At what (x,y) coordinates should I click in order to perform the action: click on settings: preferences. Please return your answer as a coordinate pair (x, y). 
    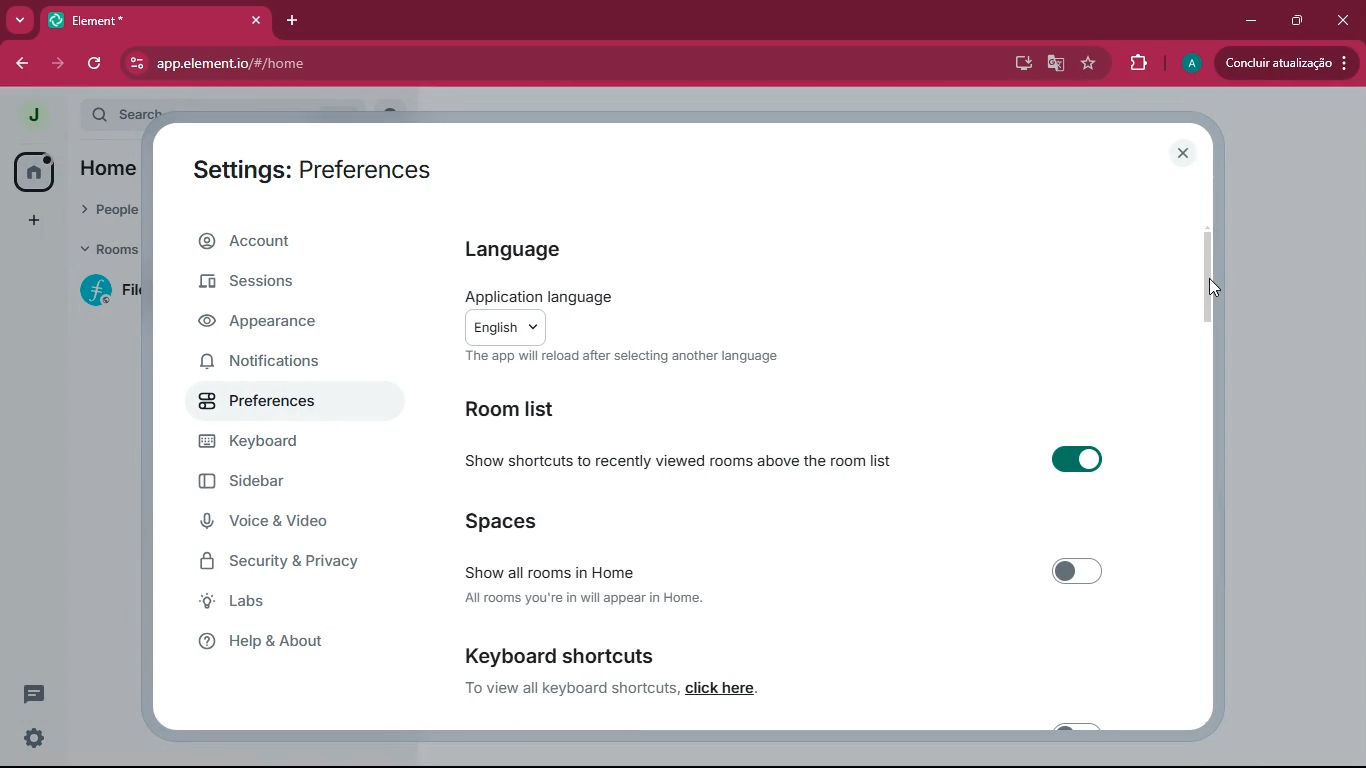
    Looking at the image, I should click on (313, 174).